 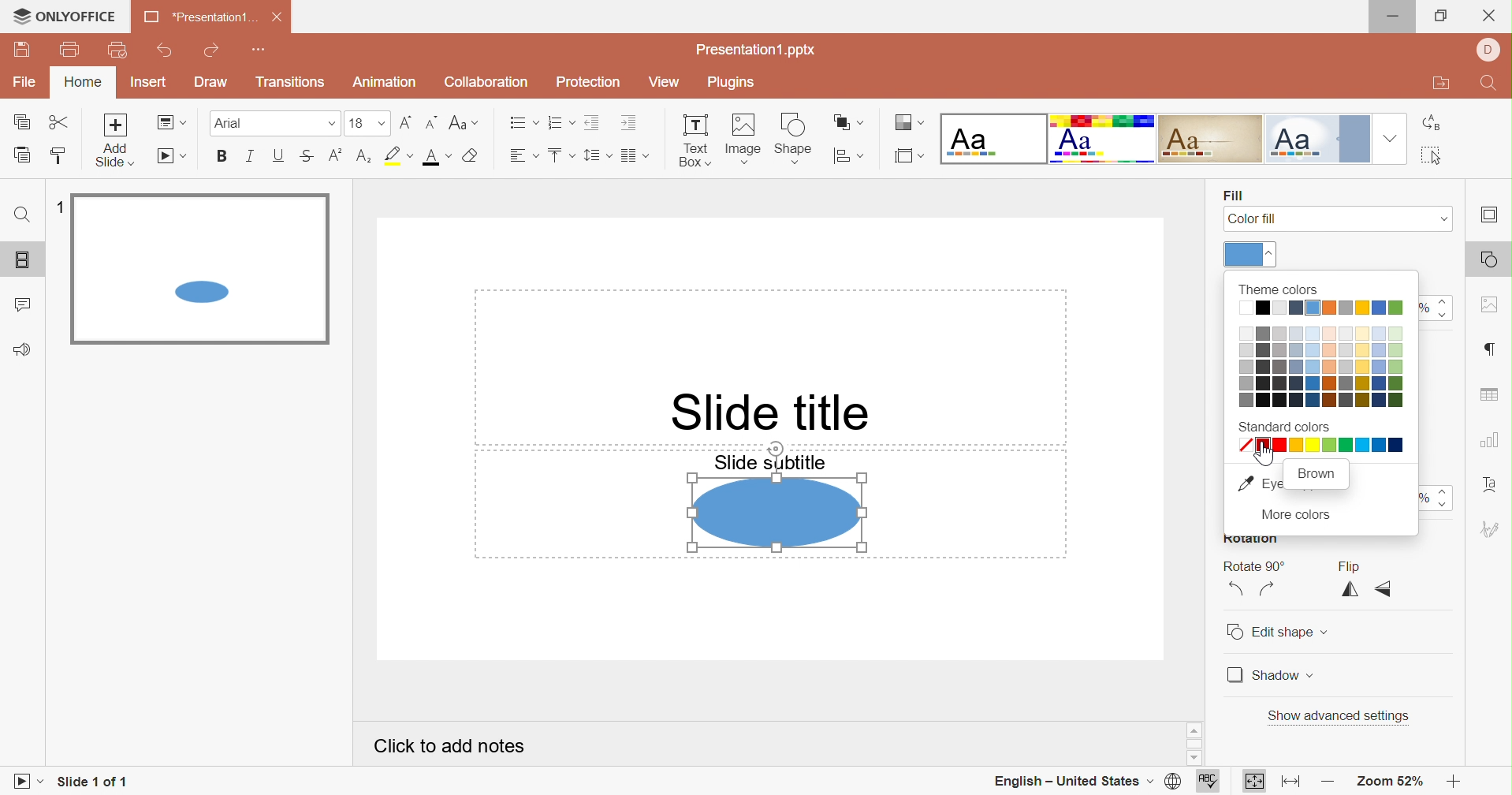 What do you see at coordinates (23, 51) in the screenshot?
I see `Save` at bounding box center [23, 51].